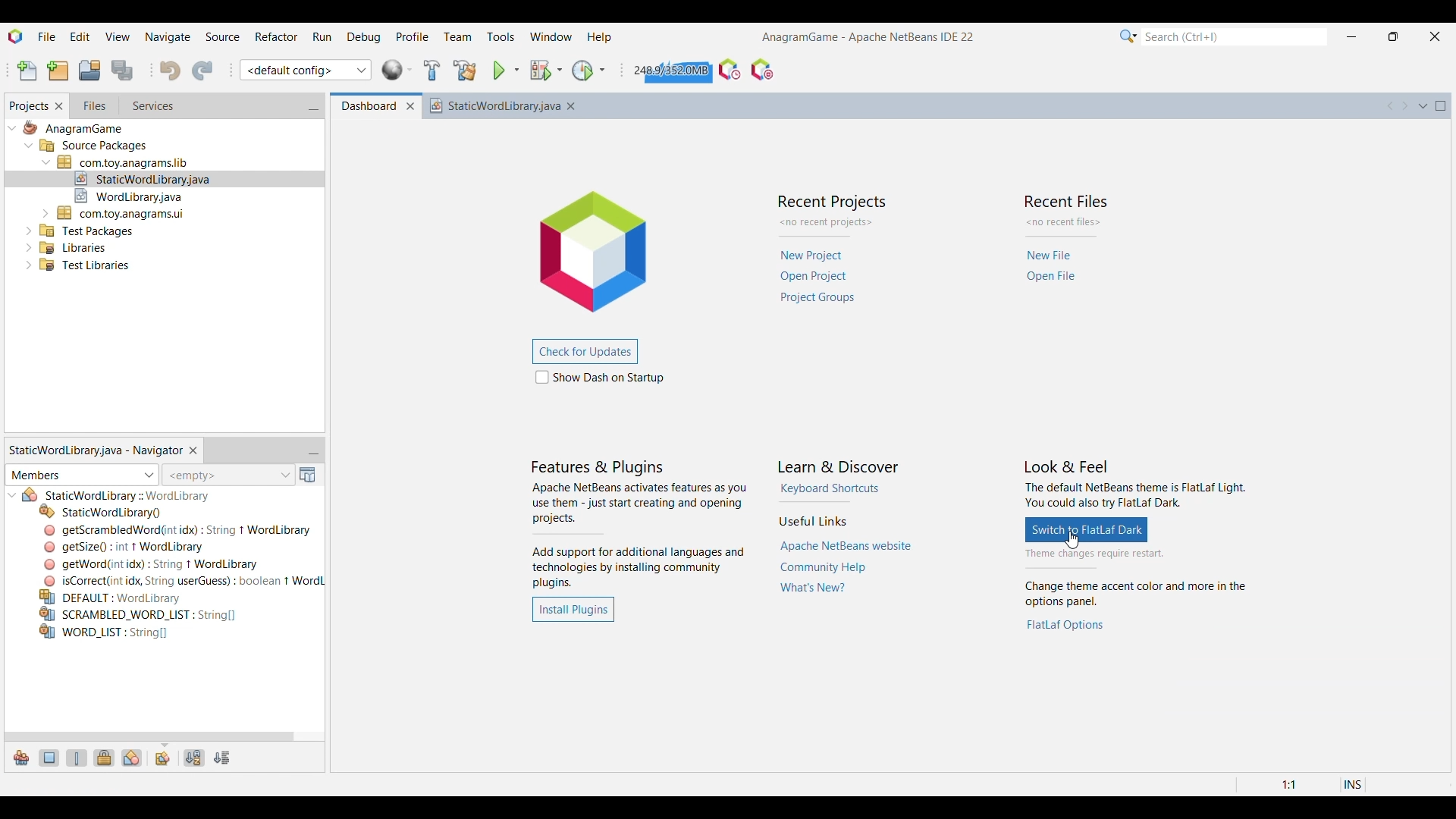 This screenshot has height=819, width=1456. I want to click on Close current selection, so click(193, 451).